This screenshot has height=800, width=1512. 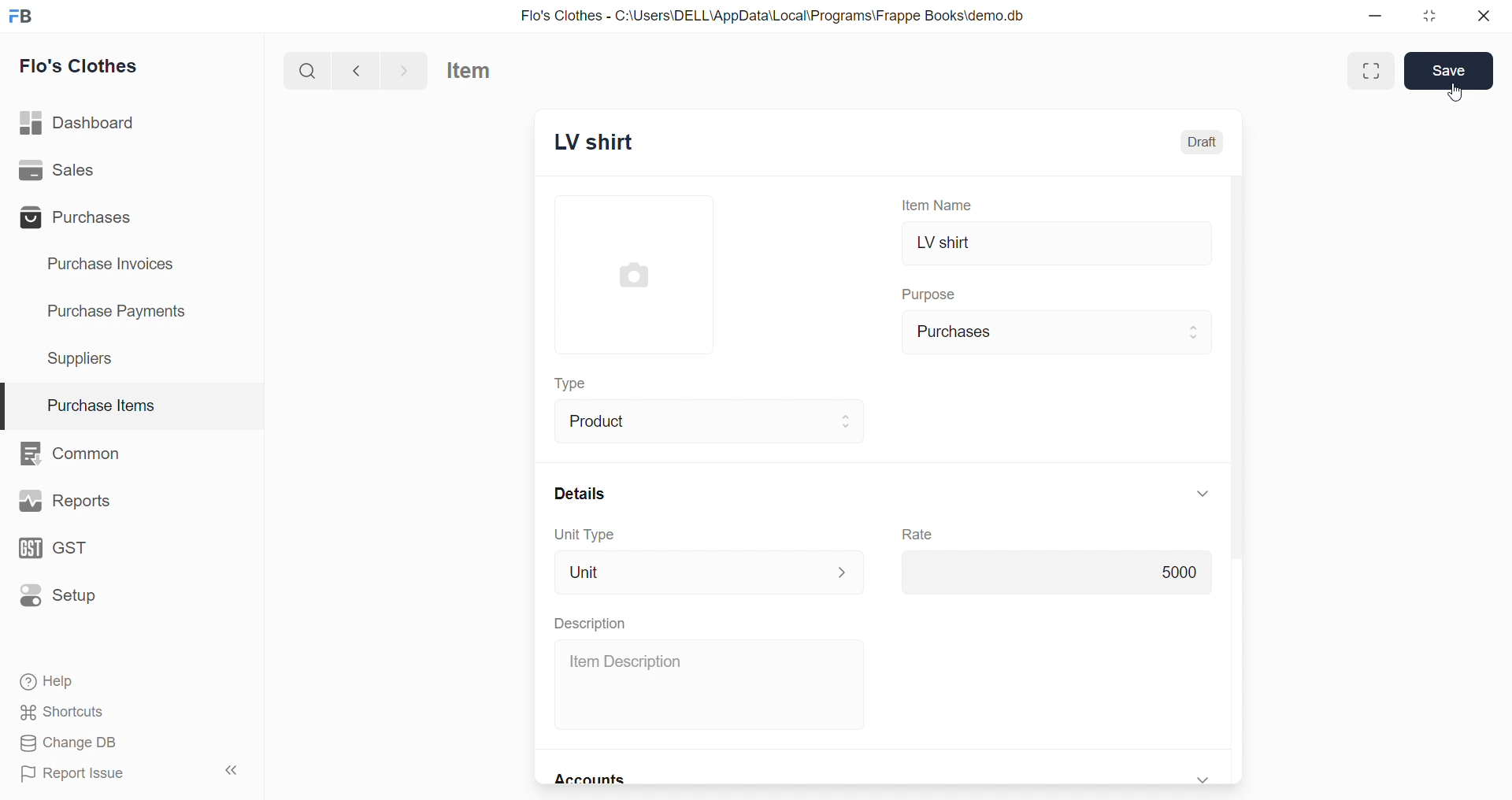 What do you see at coordinates (127, 711) in the screenshot?
I see `Shortcuts` at bounding box center [127, 711].